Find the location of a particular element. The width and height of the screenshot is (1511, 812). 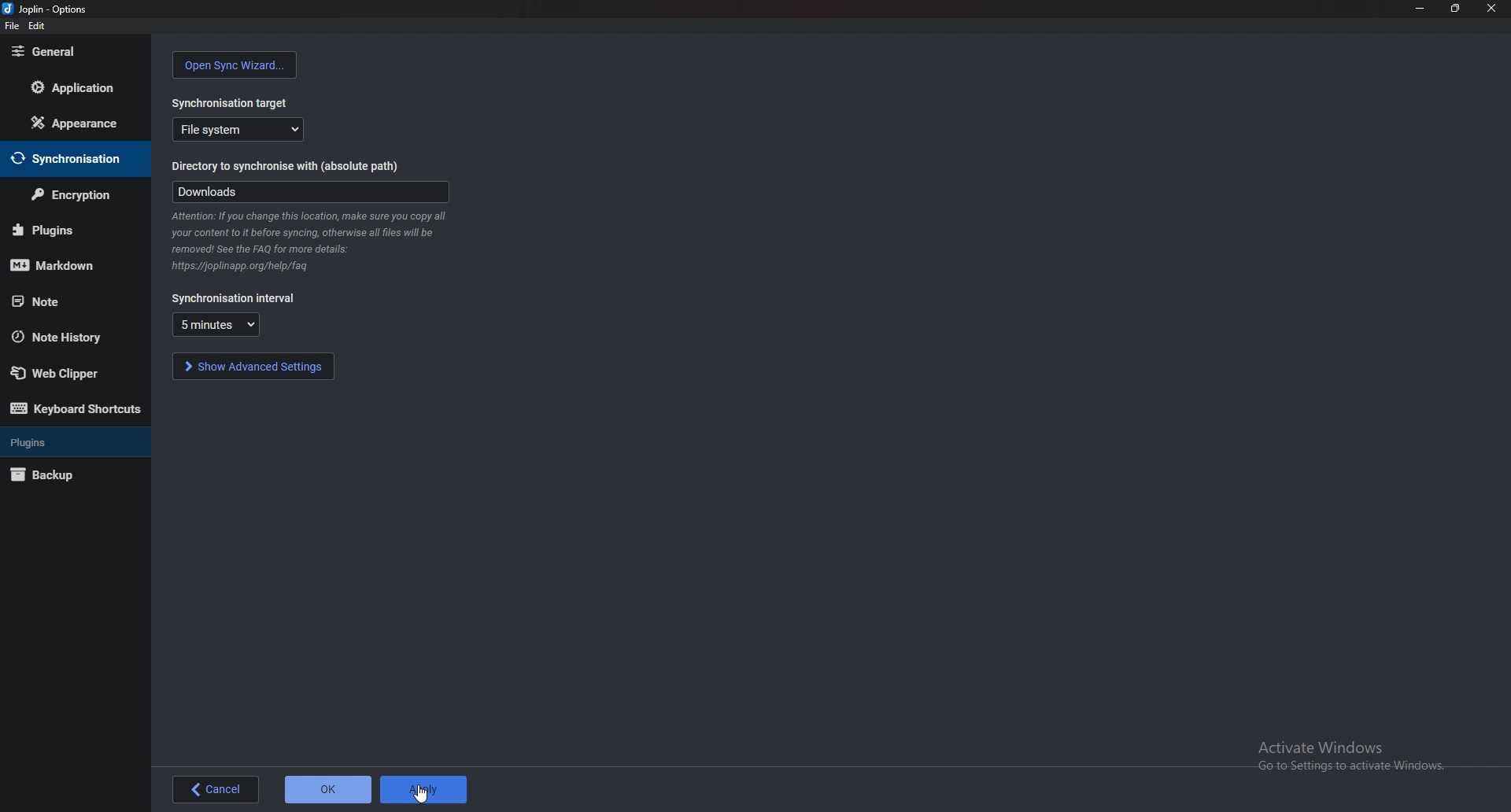

Show advanced settings is located at coordinates (253, 366).